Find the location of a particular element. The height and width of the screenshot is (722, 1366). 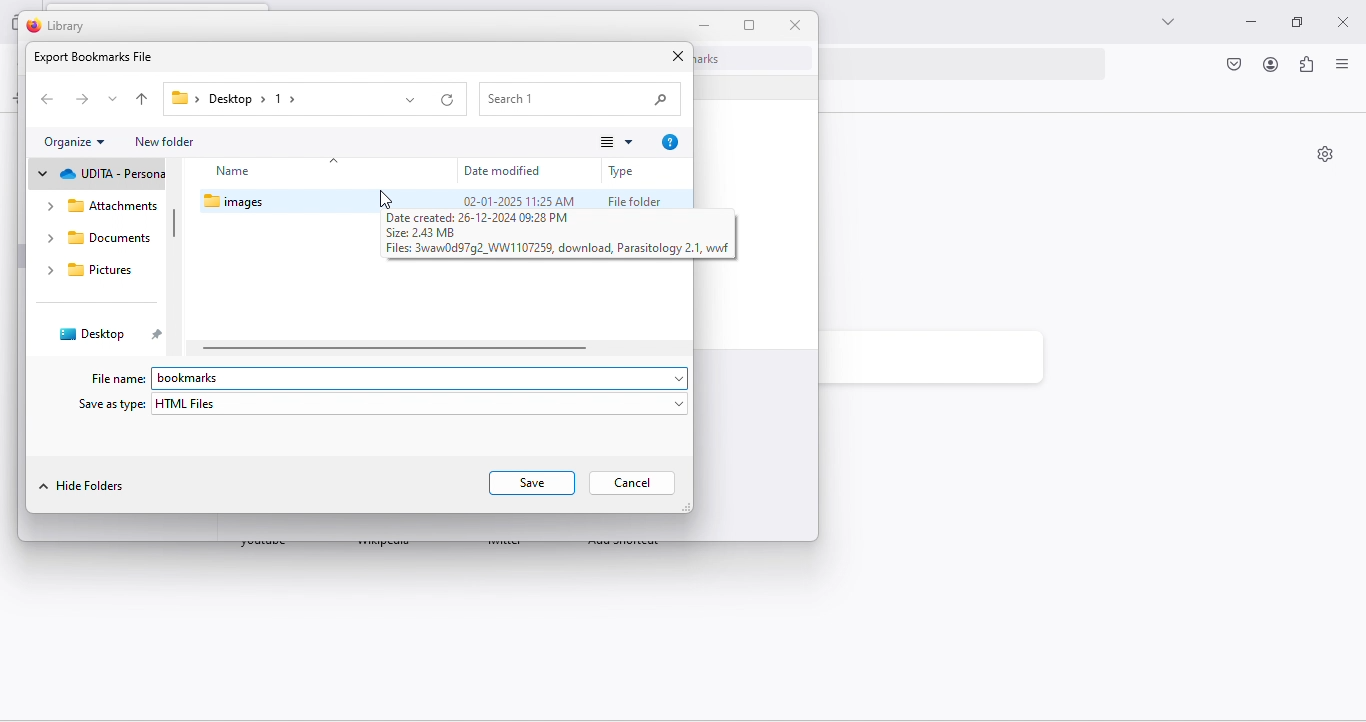

maximize is located at coordinates (1291, 23).